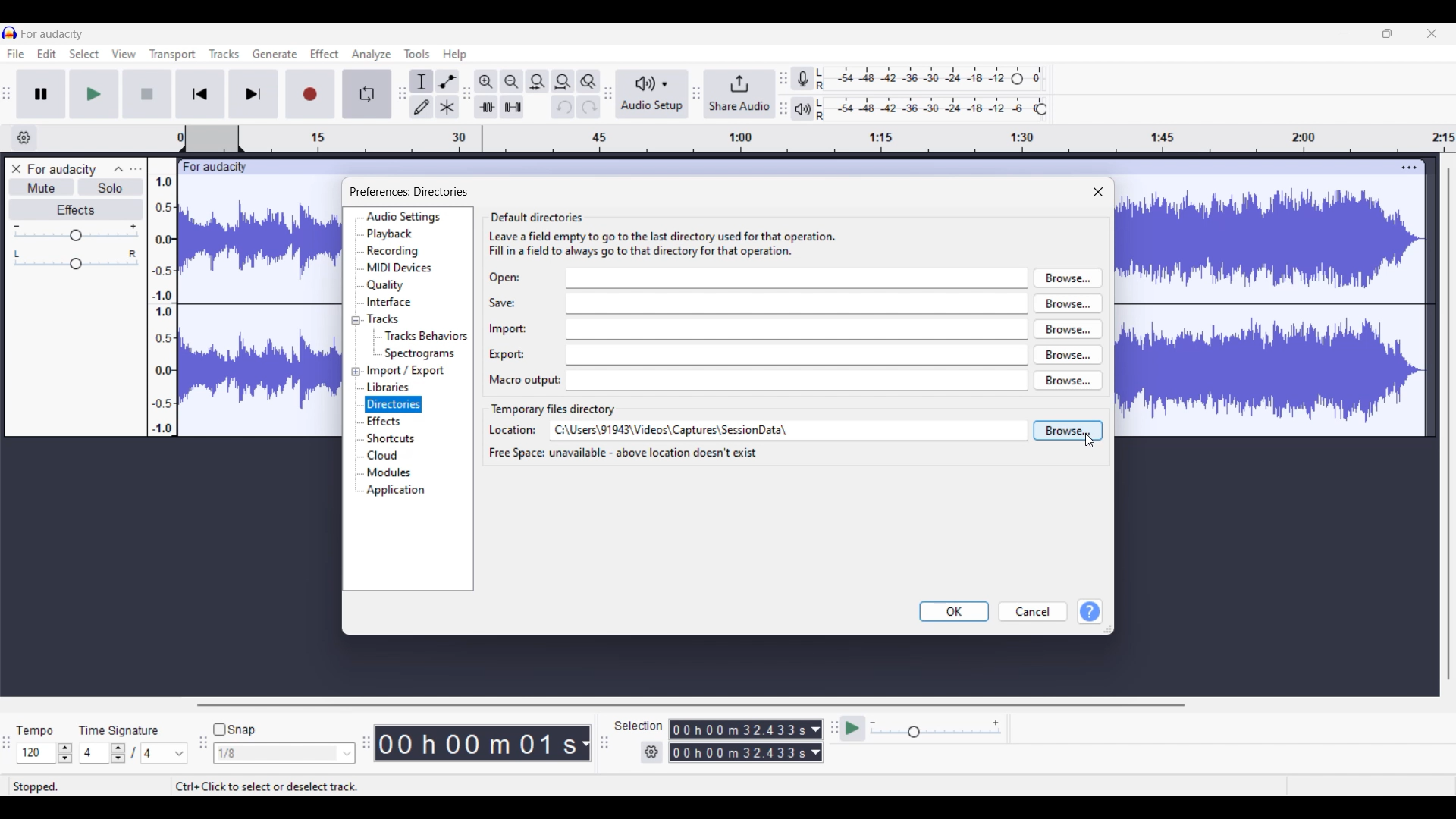 Image resolution: width=1456 pixels, height=819 pixels. Describe the element at coordinates (1257, 297) in the screenshot. I see `Current track` at that location.